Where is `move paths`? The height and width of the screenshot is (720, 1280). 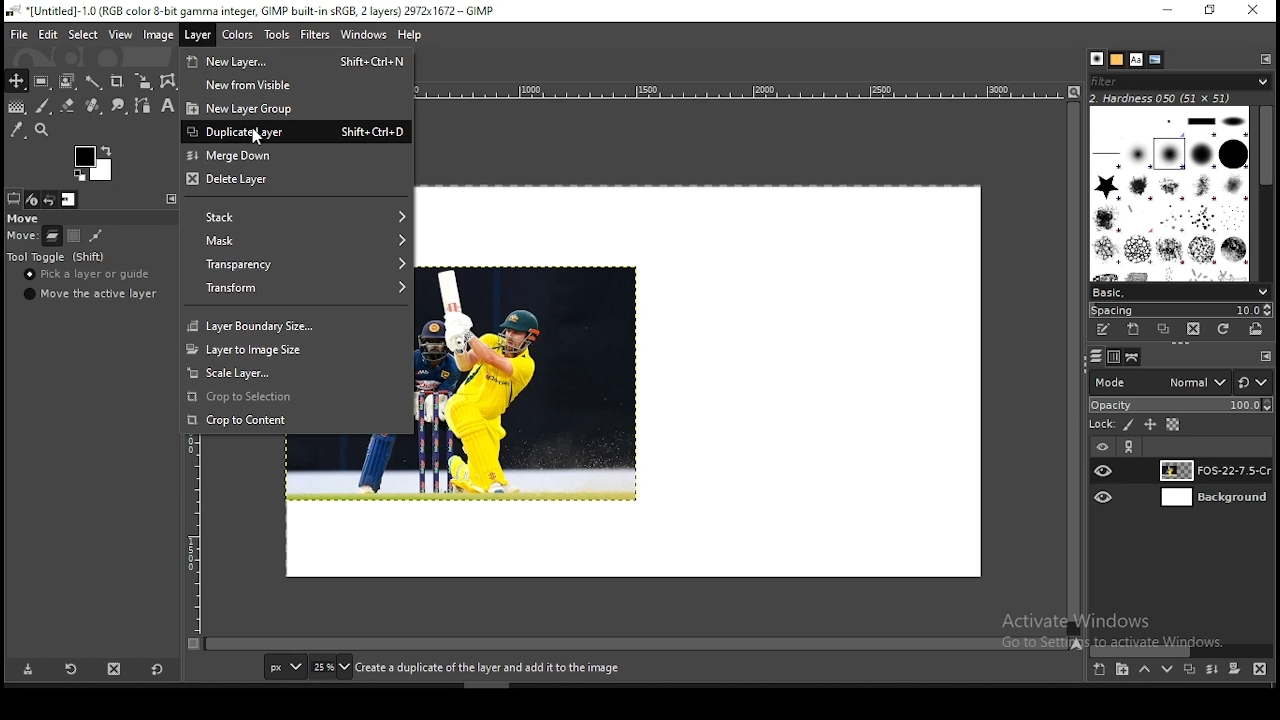 move paths is located at coordinates (96, 235).